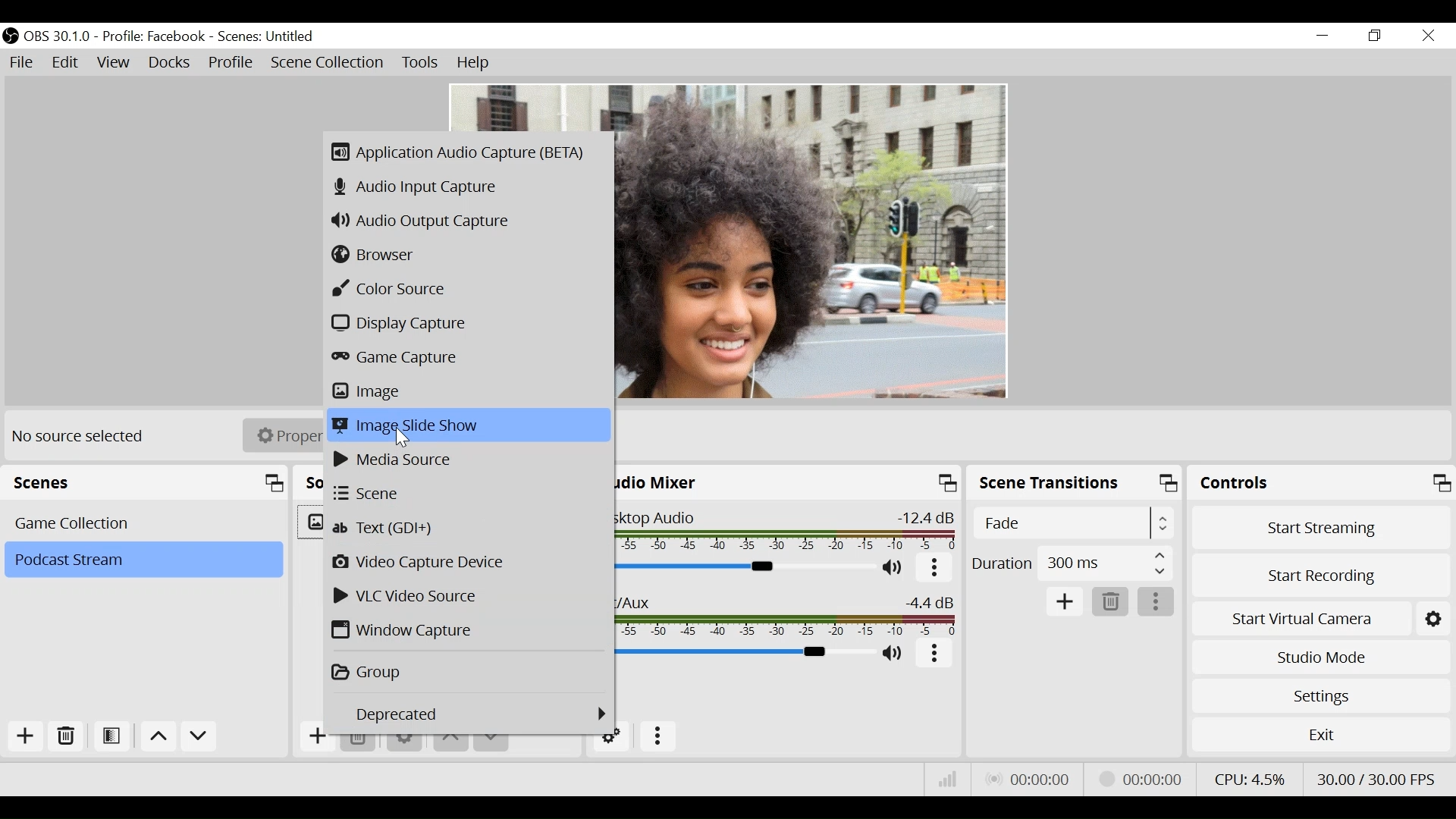 The image size is (1456, 819). I want to click on Game Capture, so click(467, 358).